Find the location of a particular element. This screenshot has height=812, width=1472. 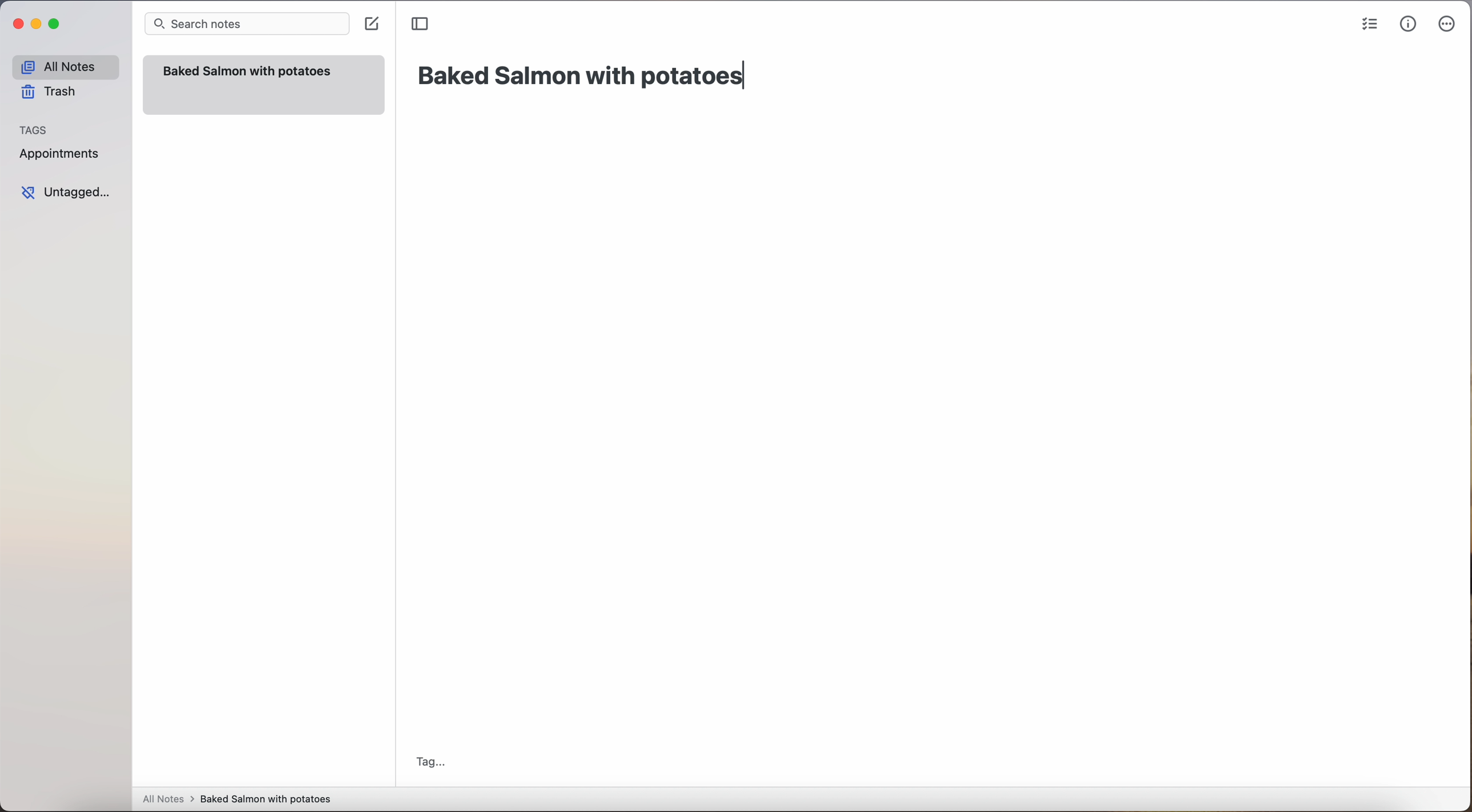

all notes > baked Salmon with potatoes is located at coordinates (237, 798).